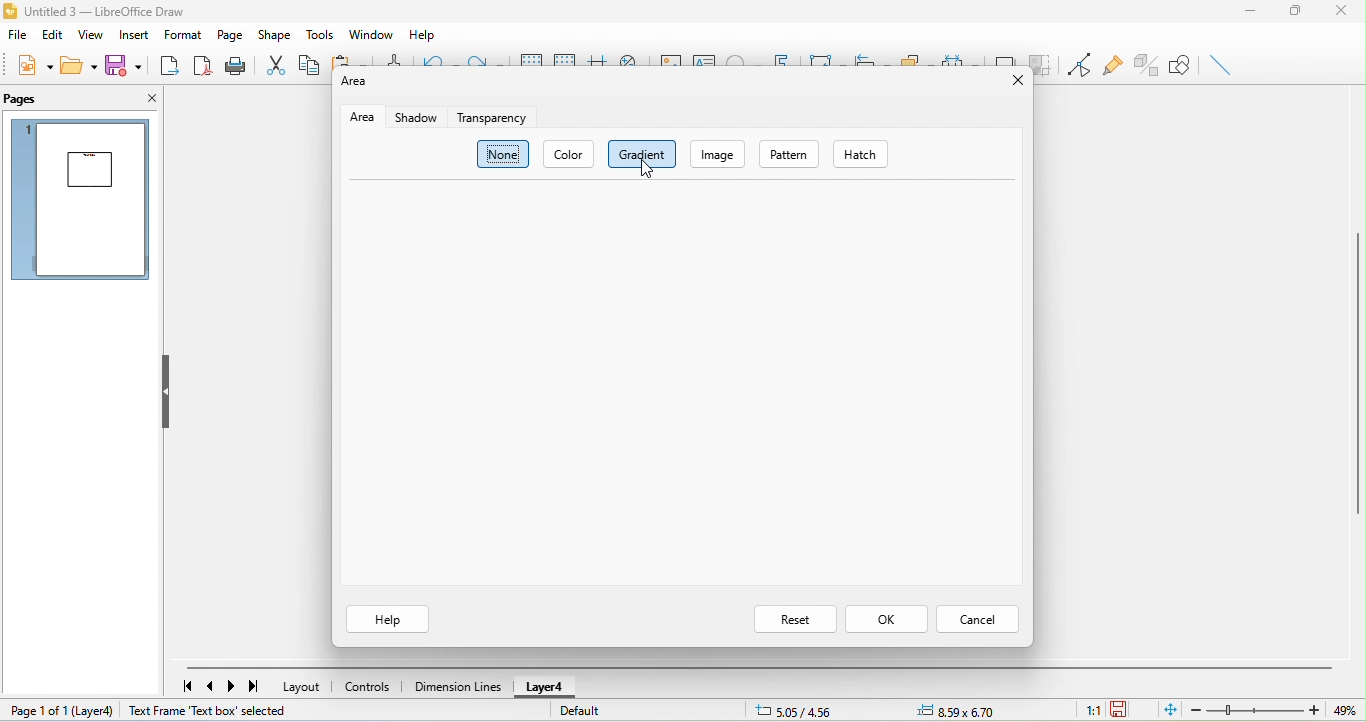  Describe the element at coordinates (310, 65) in the screenshot. I see `copy` at that location.